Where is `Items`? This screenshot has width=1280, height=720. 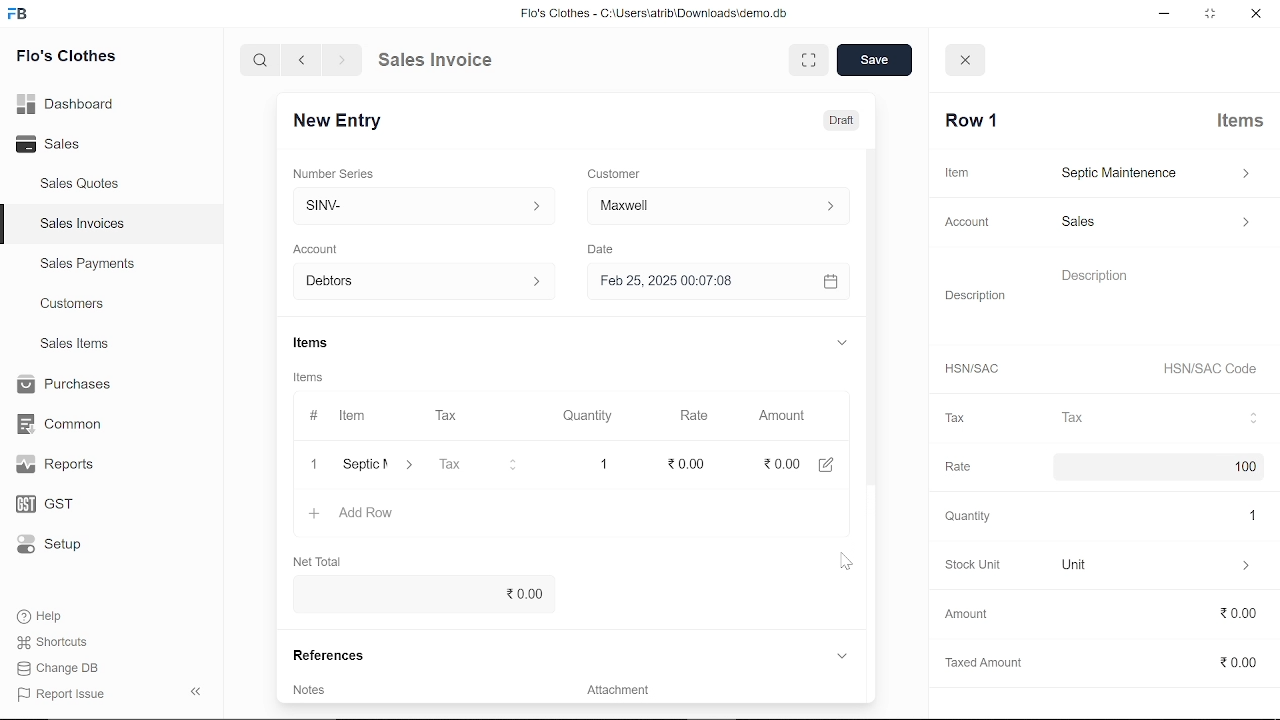 Items is located at coordinates (315, 343).